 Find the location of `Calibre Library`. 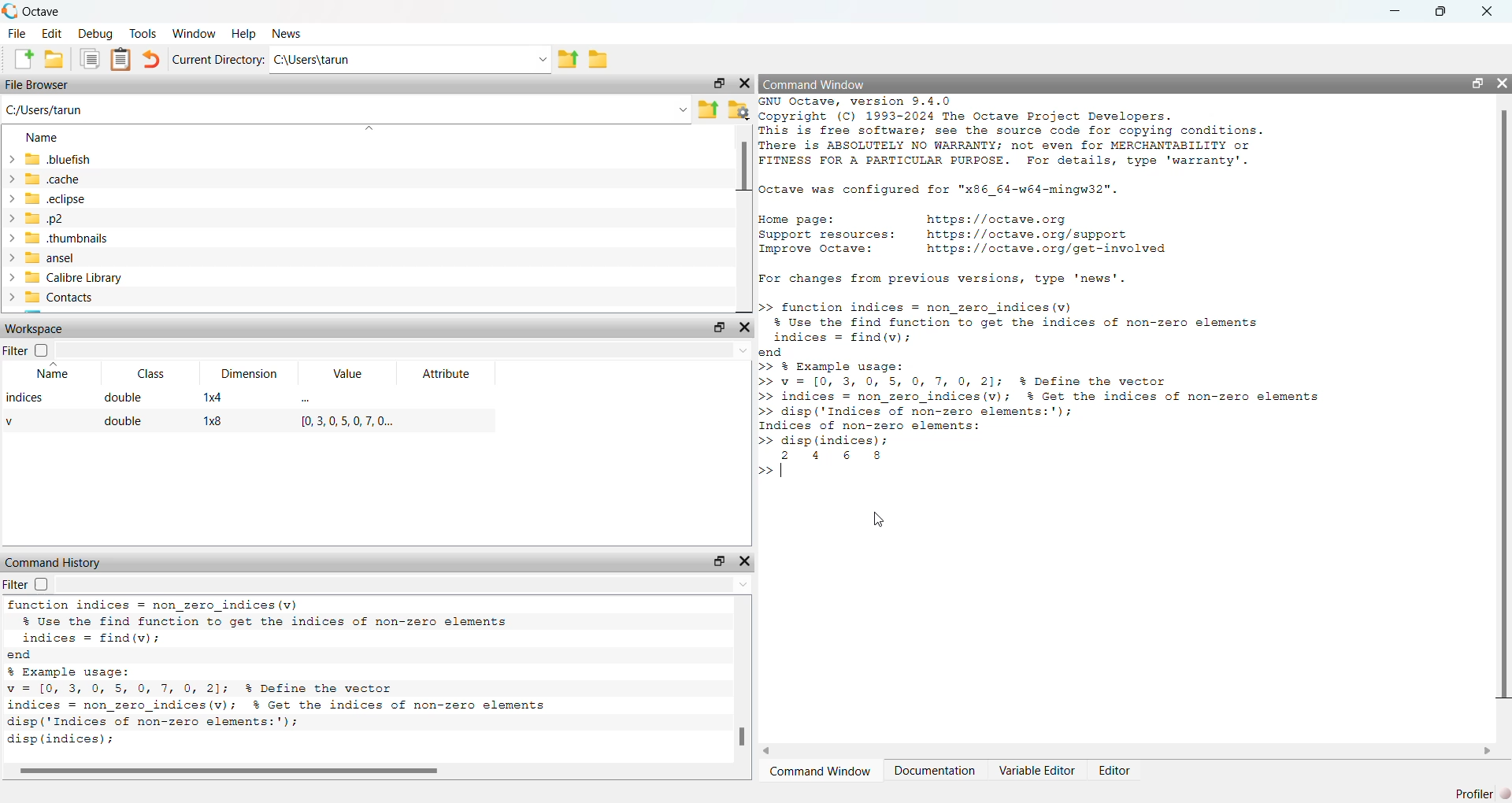

Calibre Library is located at coordinates (69, 279).